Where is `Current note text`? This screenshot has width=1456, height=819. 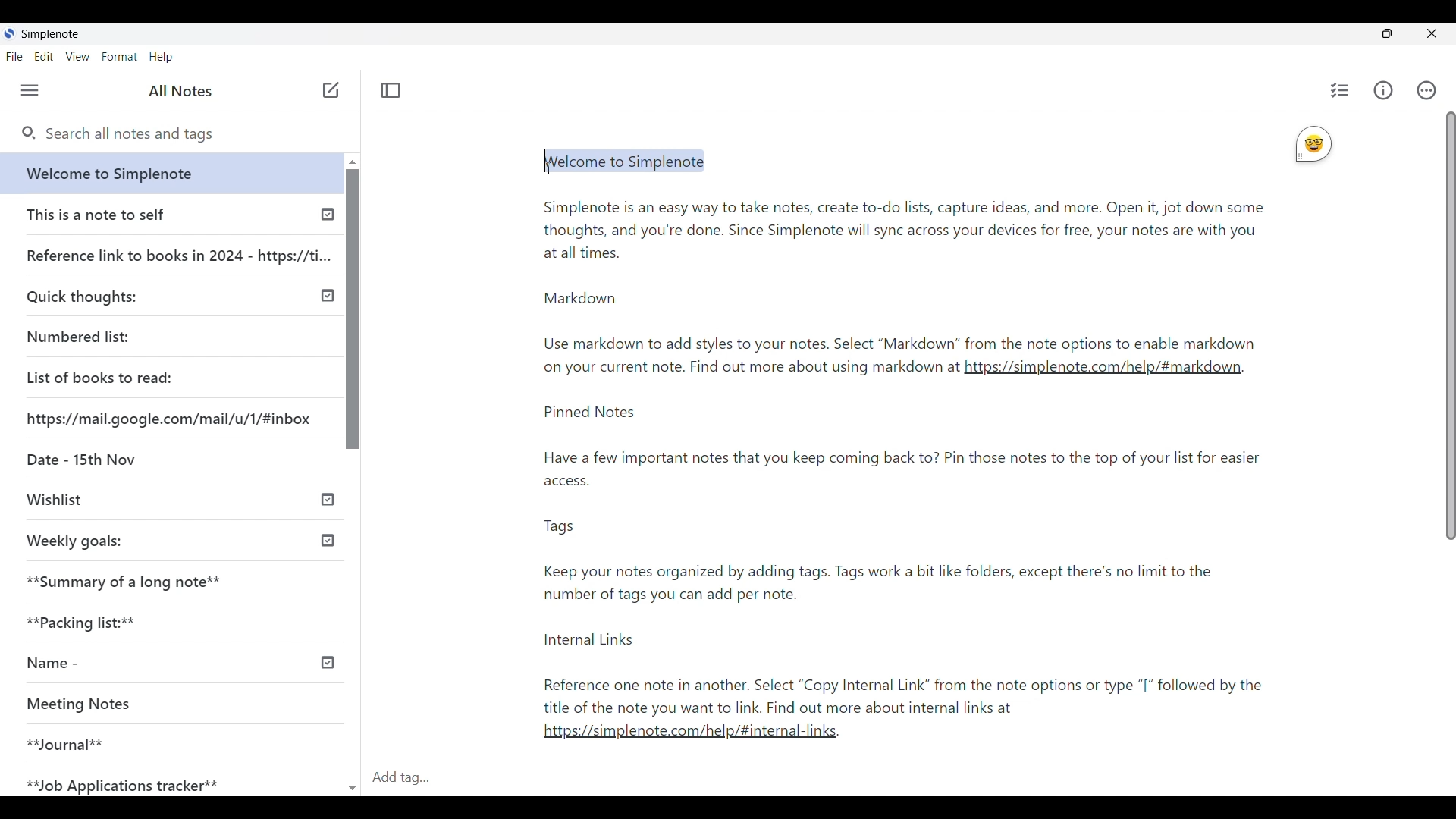 Current note text is located at coordinates (902, 271).